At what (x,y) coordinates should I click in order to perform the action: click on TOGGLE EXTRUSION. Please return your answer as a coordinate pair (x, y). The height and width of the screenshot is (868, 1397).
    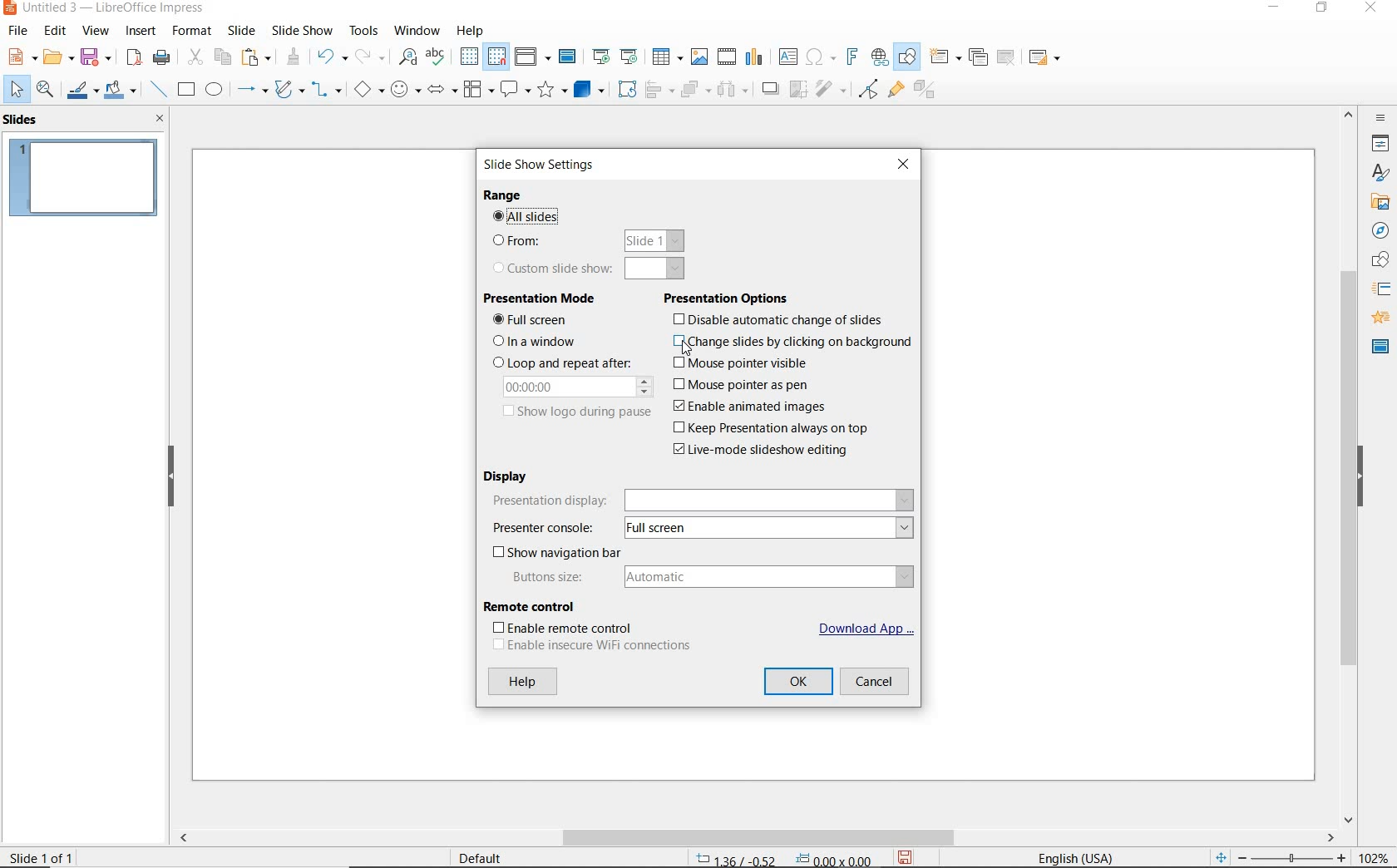
    Looking at the image, I should click on (924, 91).